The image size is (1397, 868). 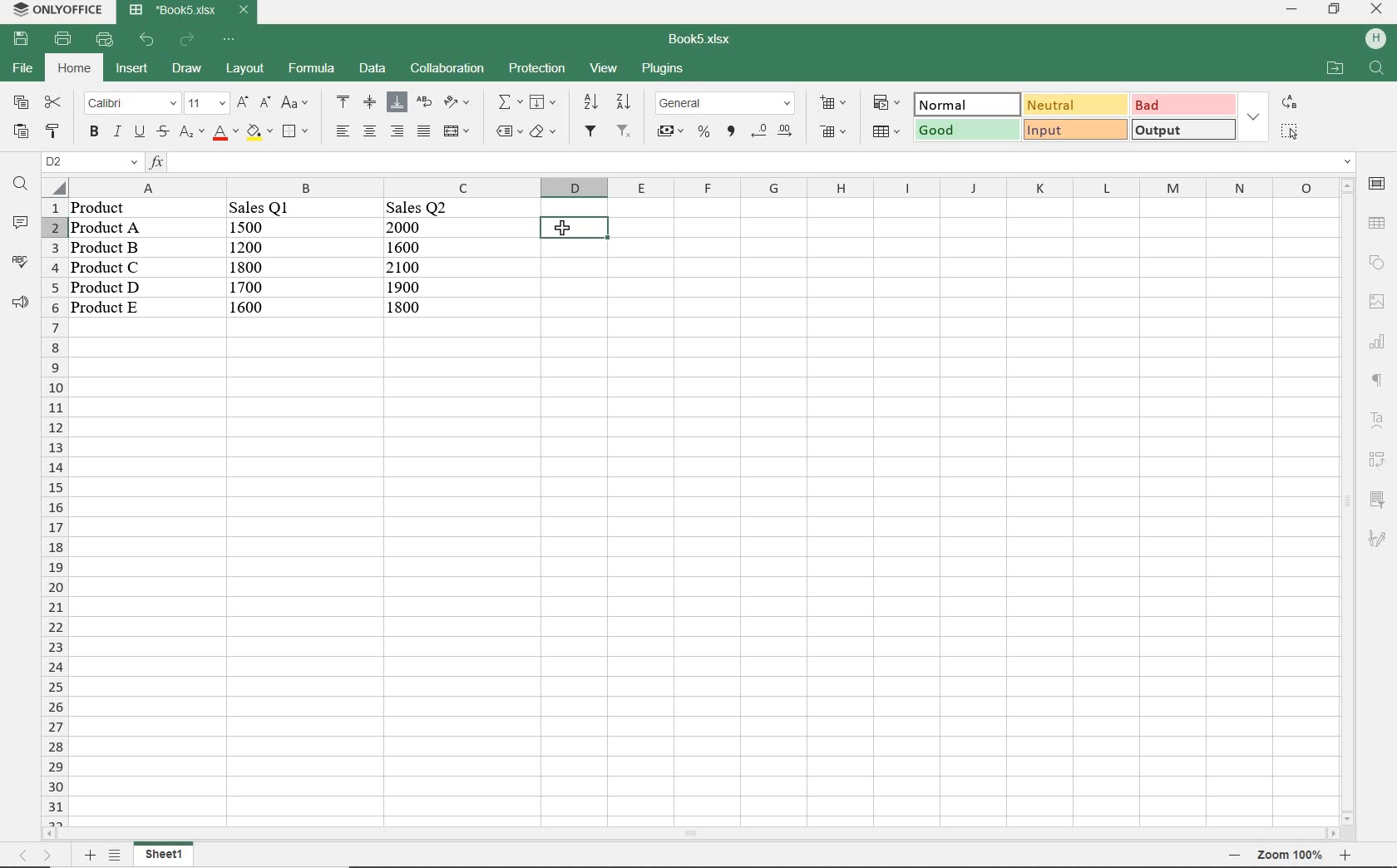 What do you see at coordinates (701, 40) in the screenshot?
I see `document name` at bounding box center [701, 40].